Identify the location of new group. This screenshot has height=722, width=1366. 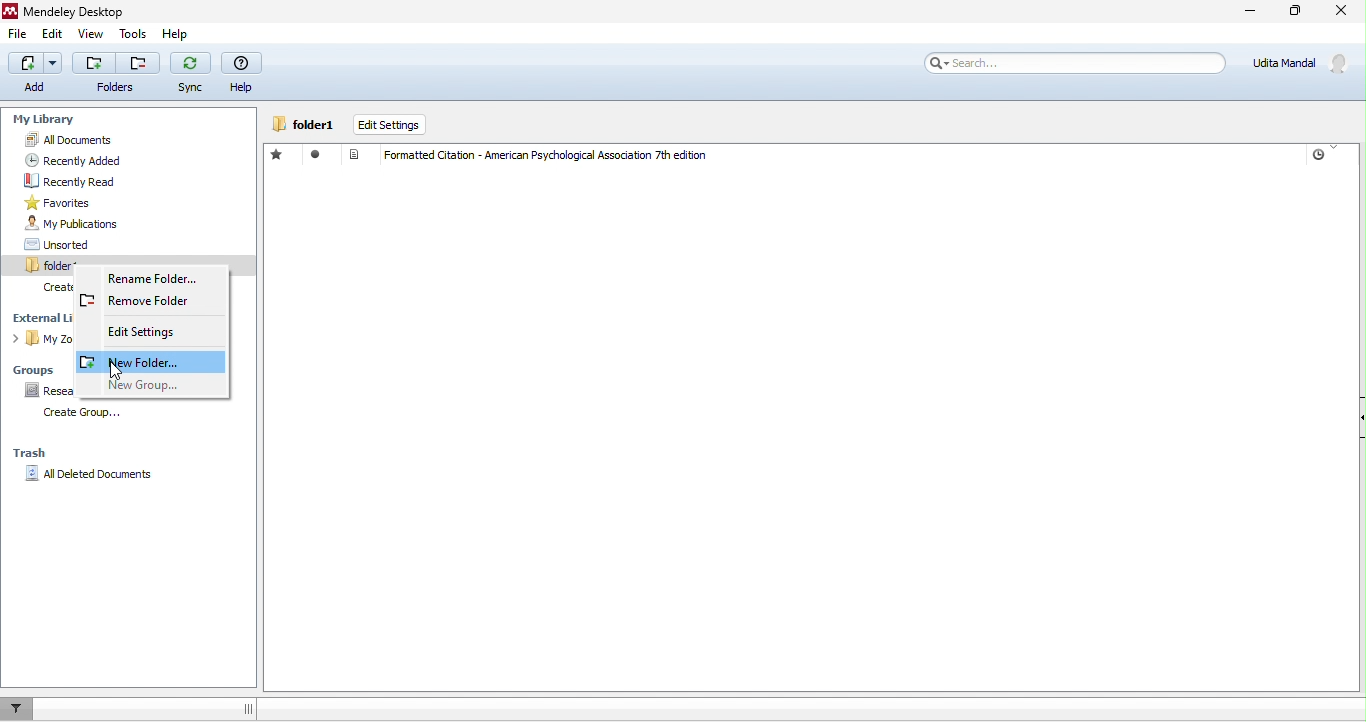
(153, 388).